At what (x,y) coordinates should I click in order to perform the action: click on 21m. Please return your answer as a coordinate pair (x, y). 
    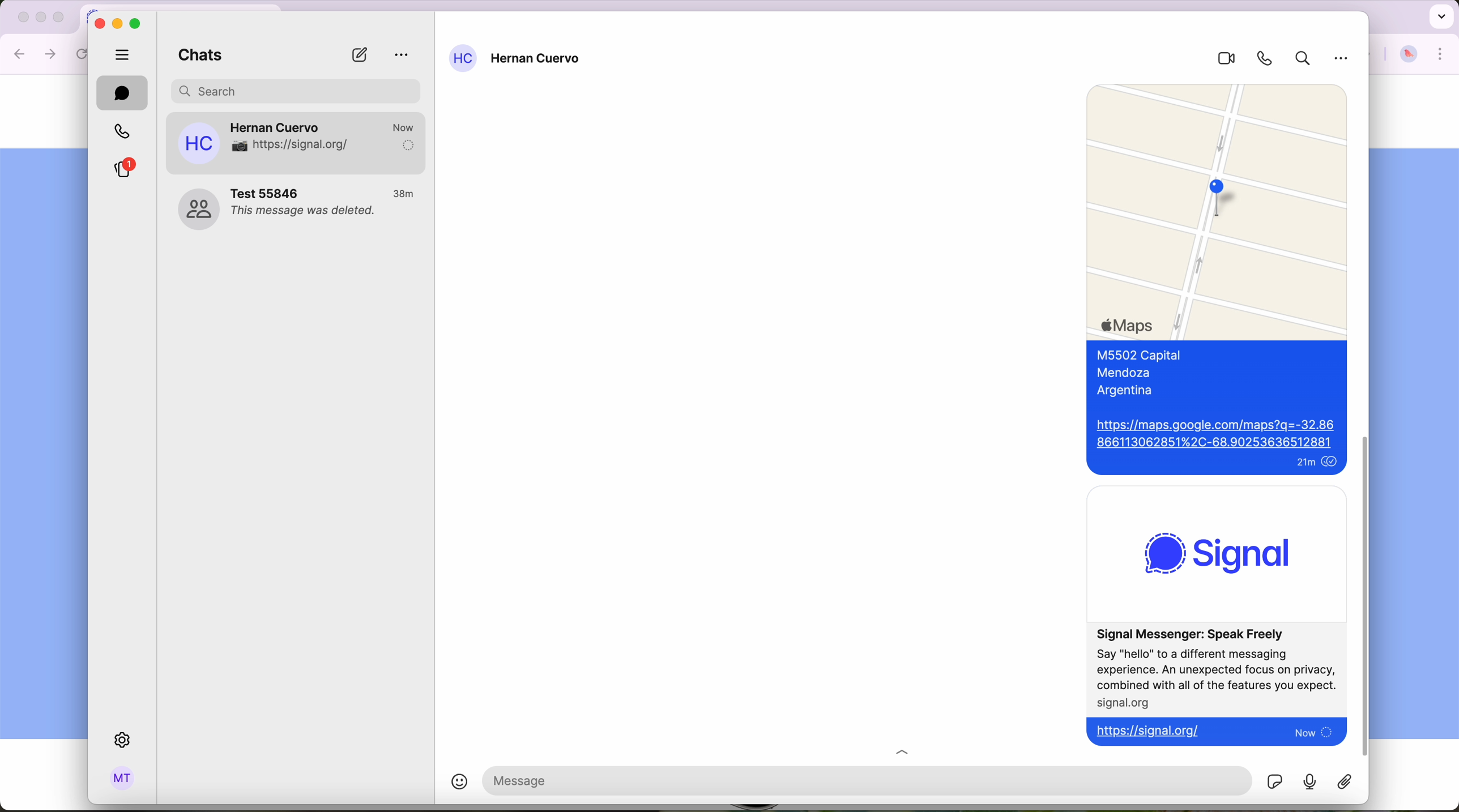
    Looking at the image, I should click on (1300, 463).